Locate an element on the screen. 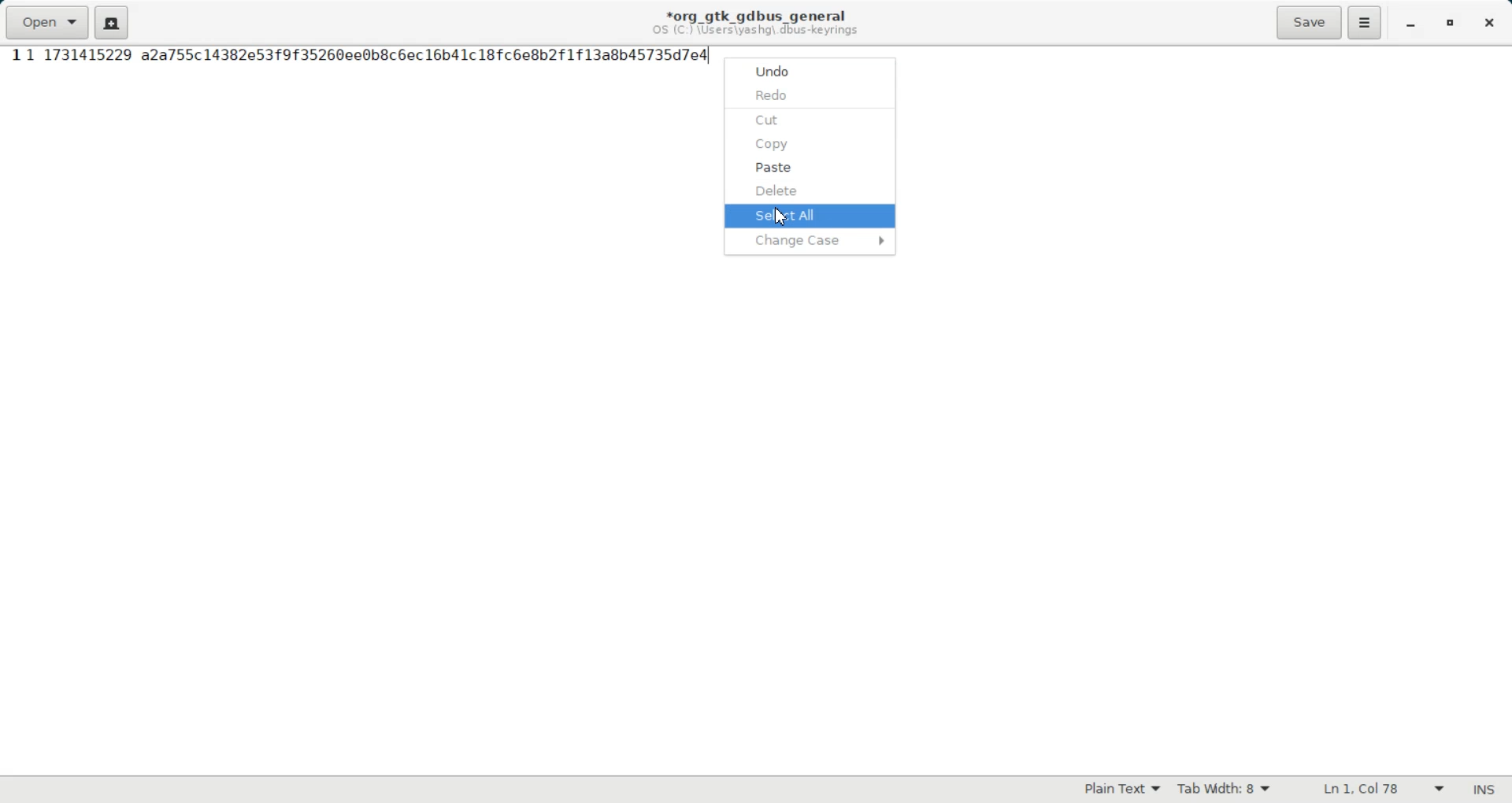  Hamburger Settings is located at coordinates (1365, 22).